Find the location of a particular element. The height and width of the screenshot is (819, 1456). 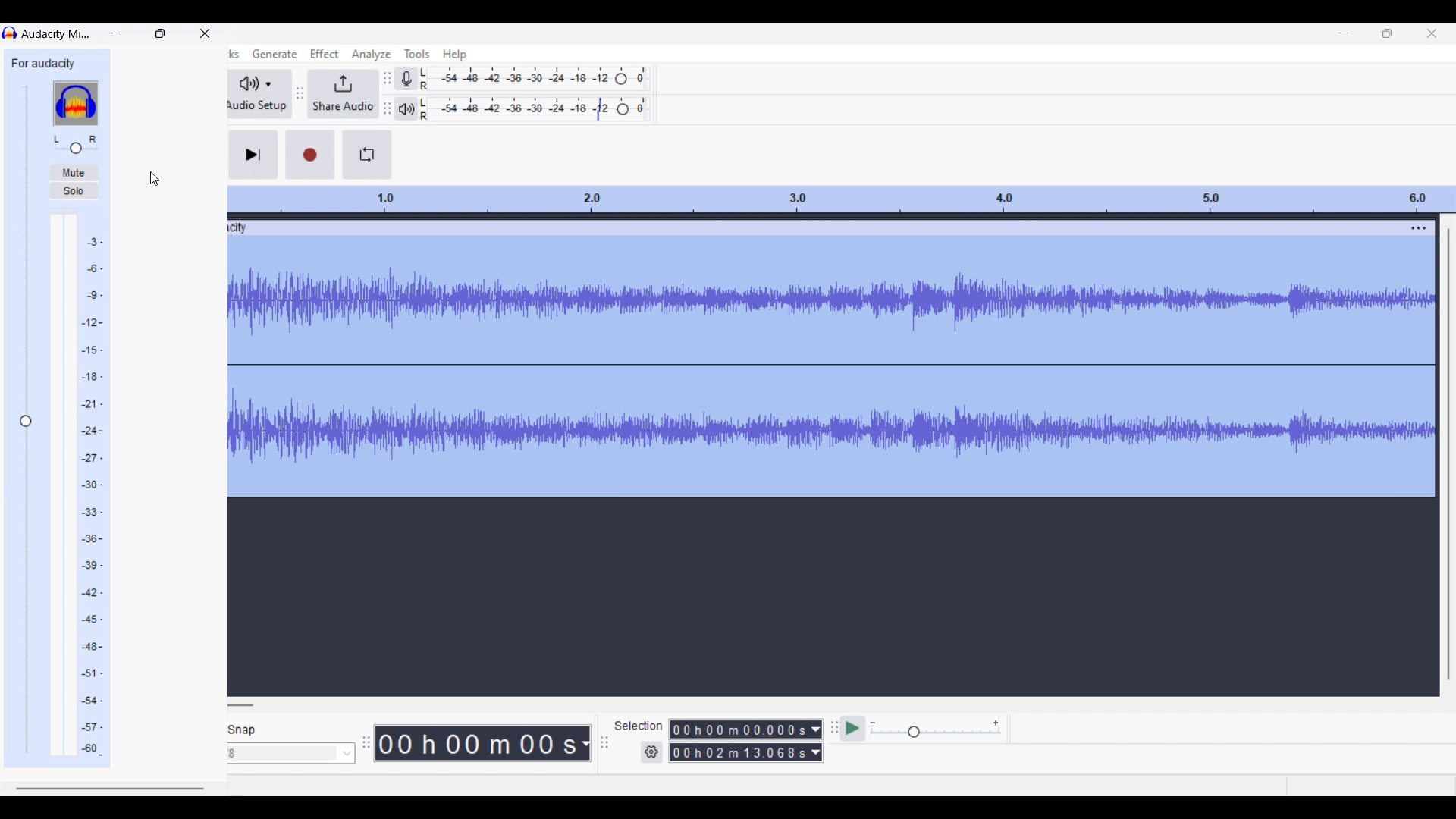

Minimize is located at coordinates (116, 33).